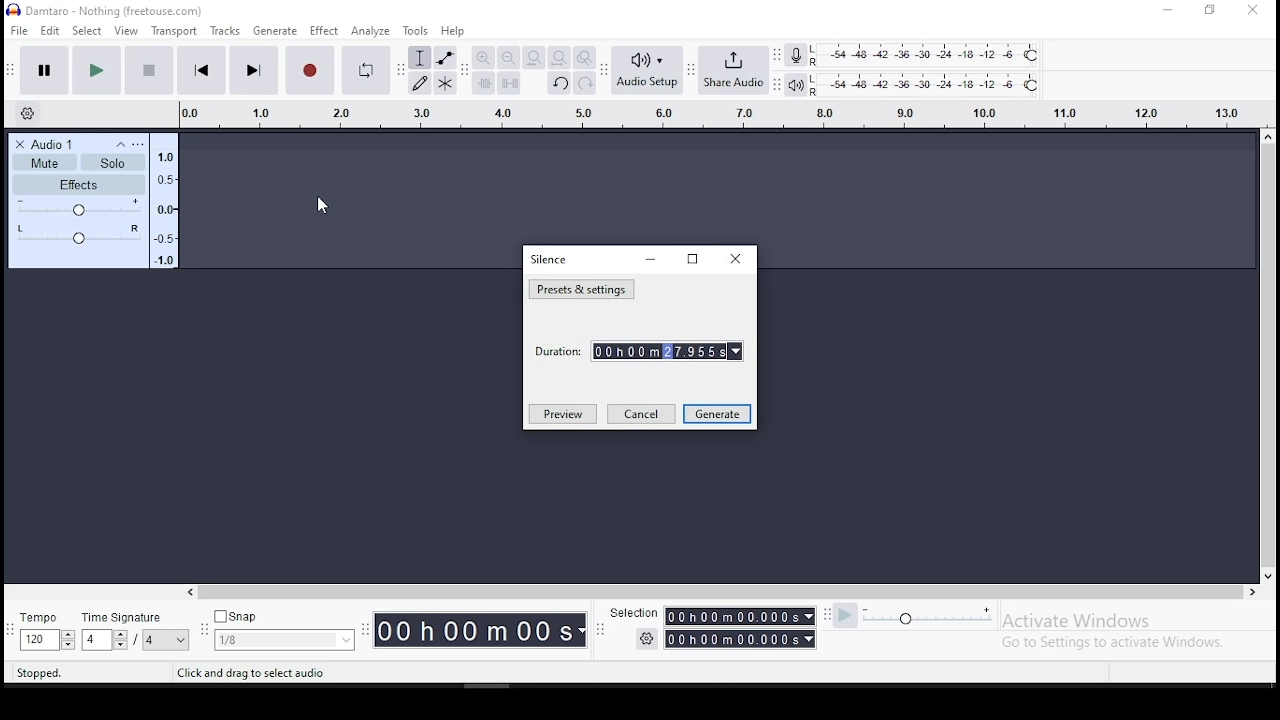  What do you see at coordinates (719, 113) in the screenshot?
I see `track's timing` at bounding box center [719, 113].